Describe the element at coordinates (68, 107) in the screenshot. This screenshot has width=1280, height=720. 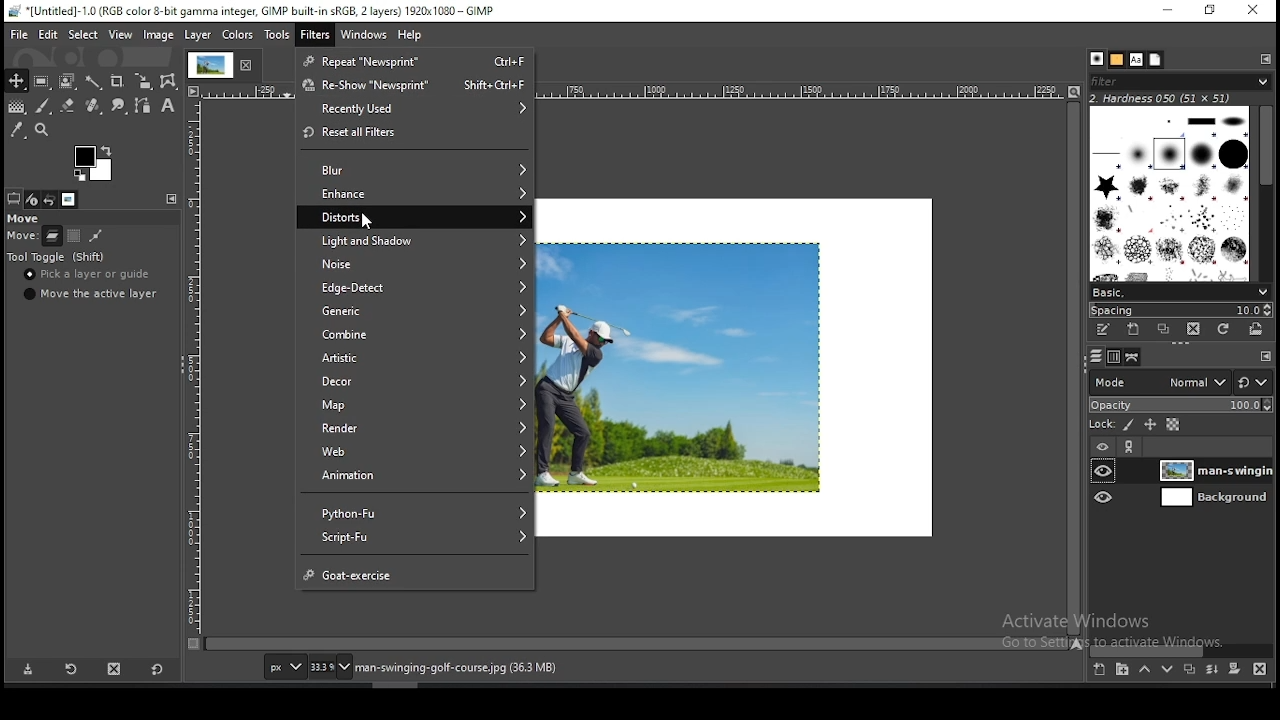
I see `eraser tool` at that location.